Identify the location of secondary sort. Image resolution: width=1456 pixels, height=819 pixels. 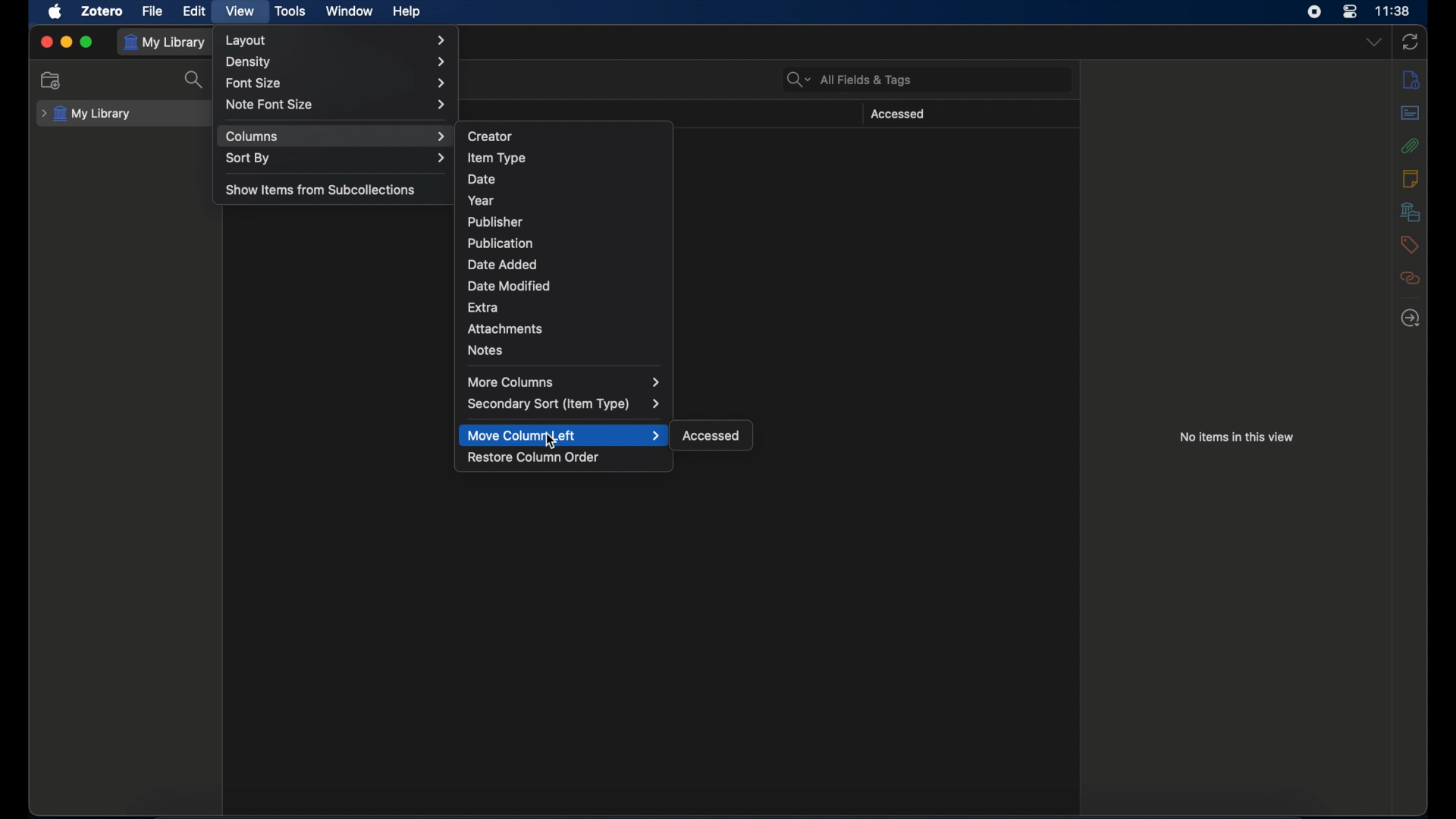
(565, 404).